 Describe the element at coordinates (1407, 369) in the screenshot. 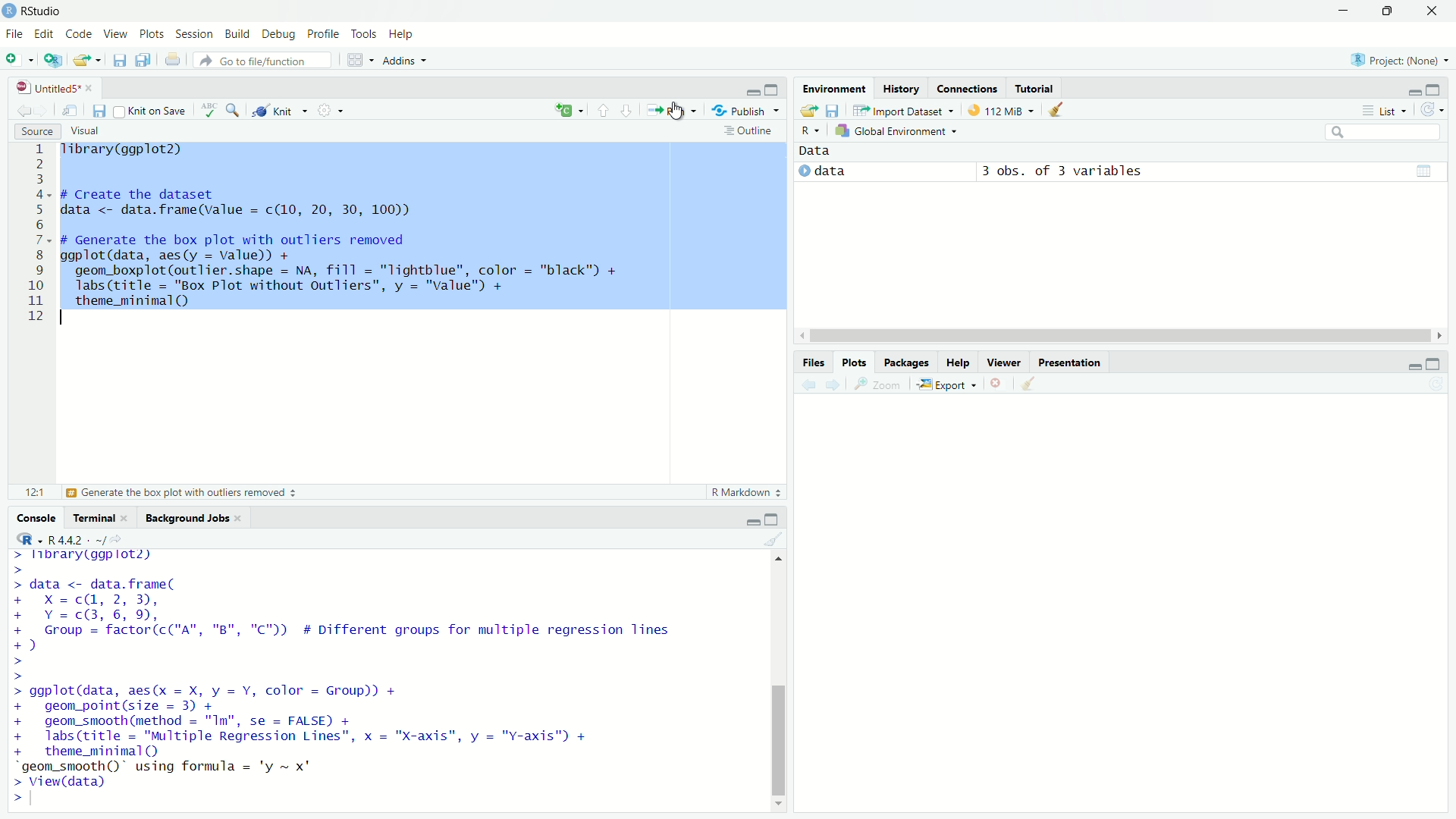

I see `minimise` at that location.